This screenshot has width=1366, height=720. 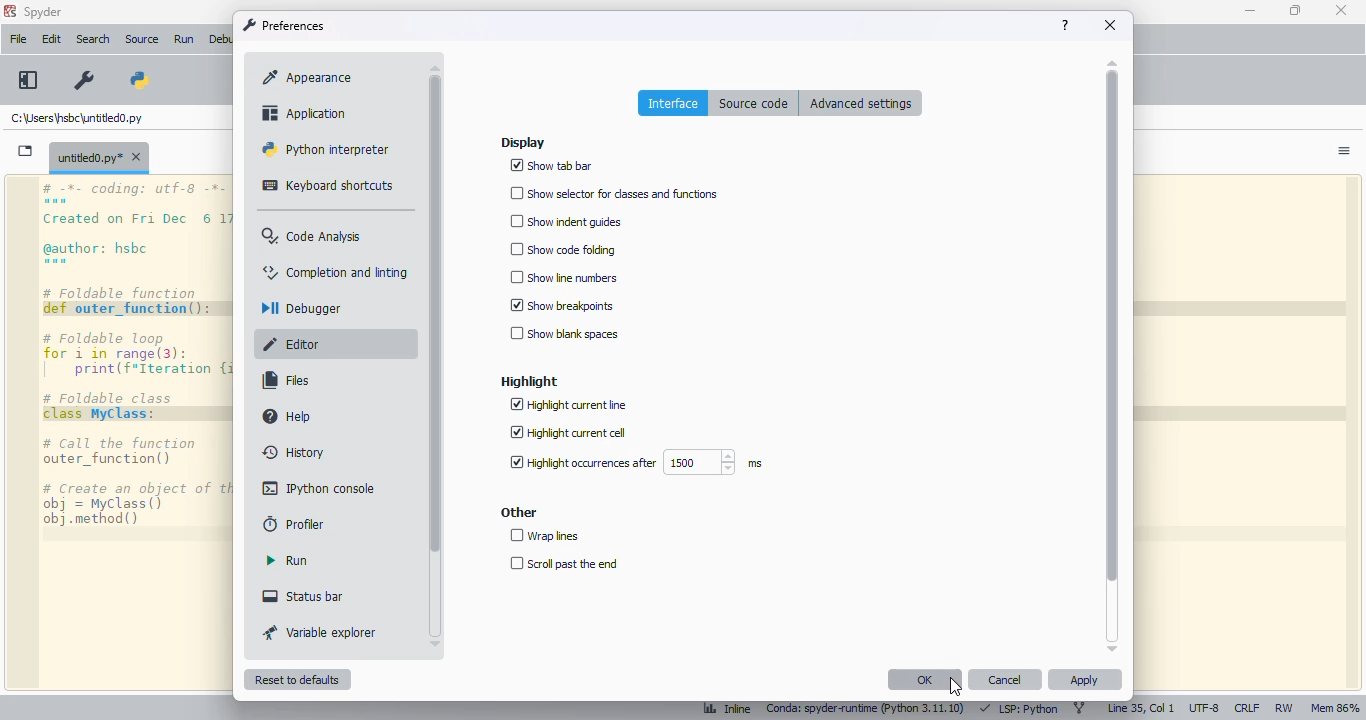 What do you see at coordinates (564, 333) in the screenshot?
I see `show blank spaces` at bounding box center [564, 333].